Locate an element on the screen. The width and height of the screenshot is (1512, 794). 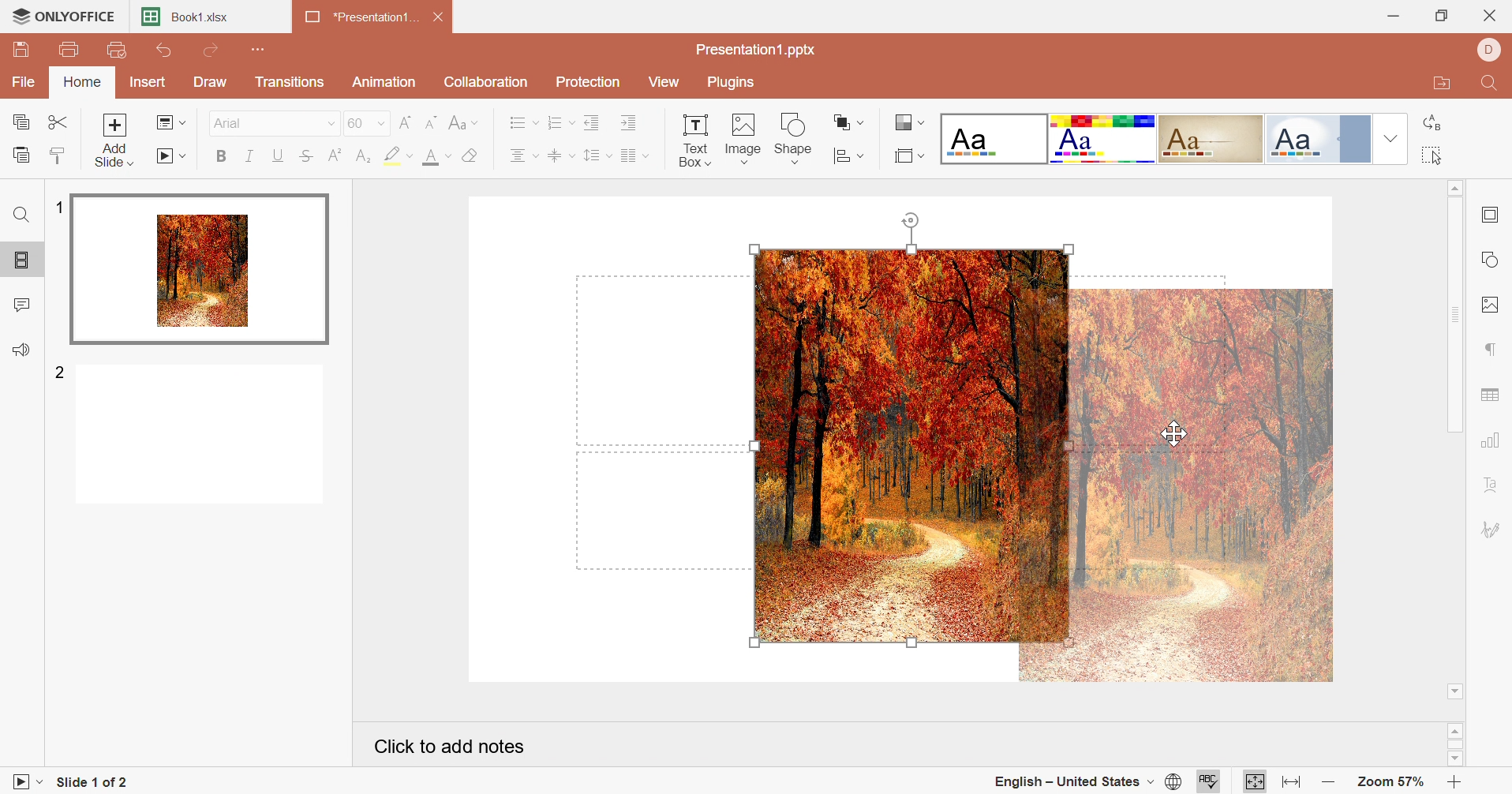
Click to add notes is located at coordinates (447, 747).